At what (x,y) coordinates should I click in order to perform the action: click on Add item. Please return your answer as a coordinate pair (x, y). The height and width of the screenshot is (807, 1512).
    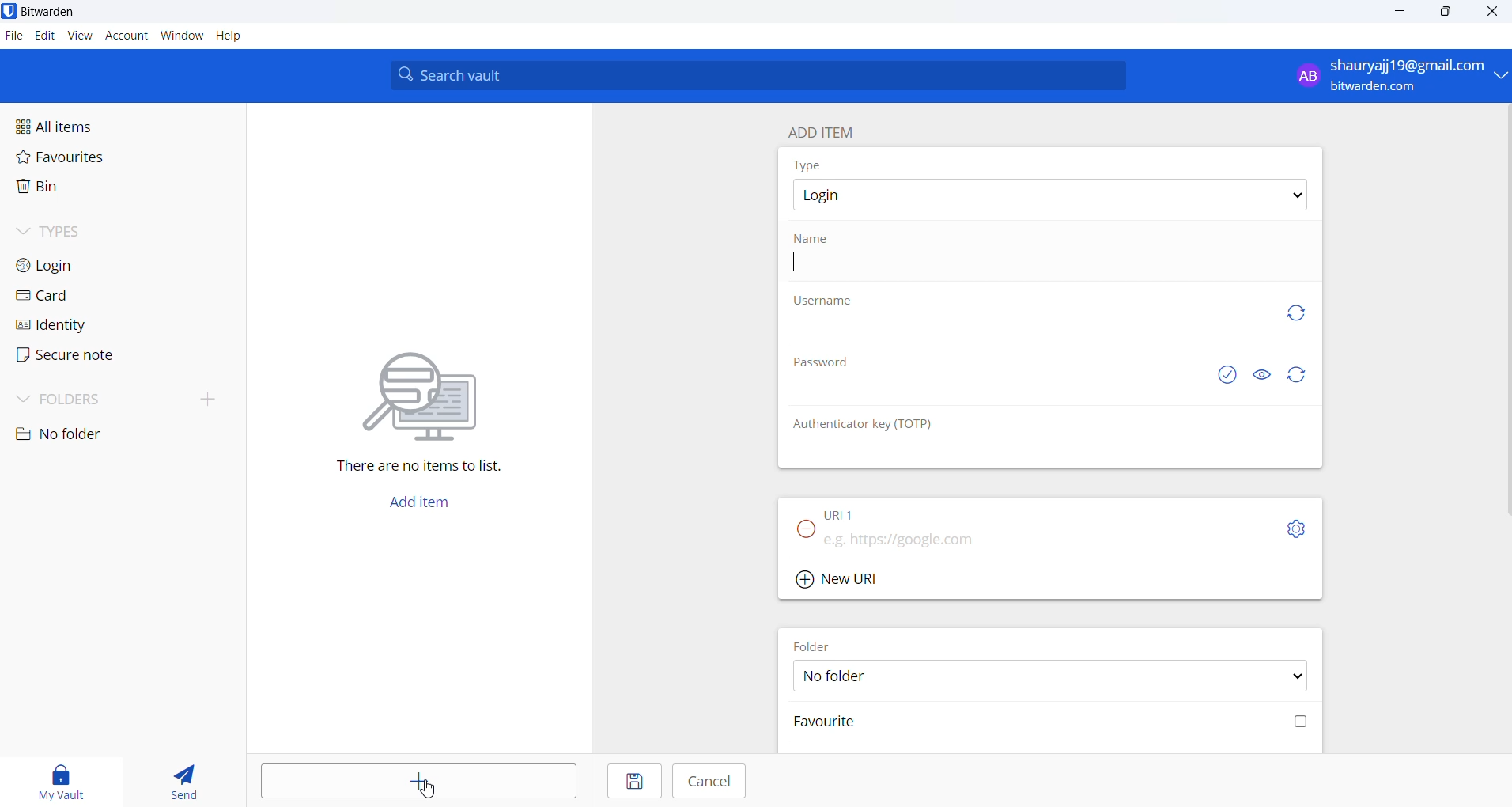
    Looking at the image, I should click on (418, 506).